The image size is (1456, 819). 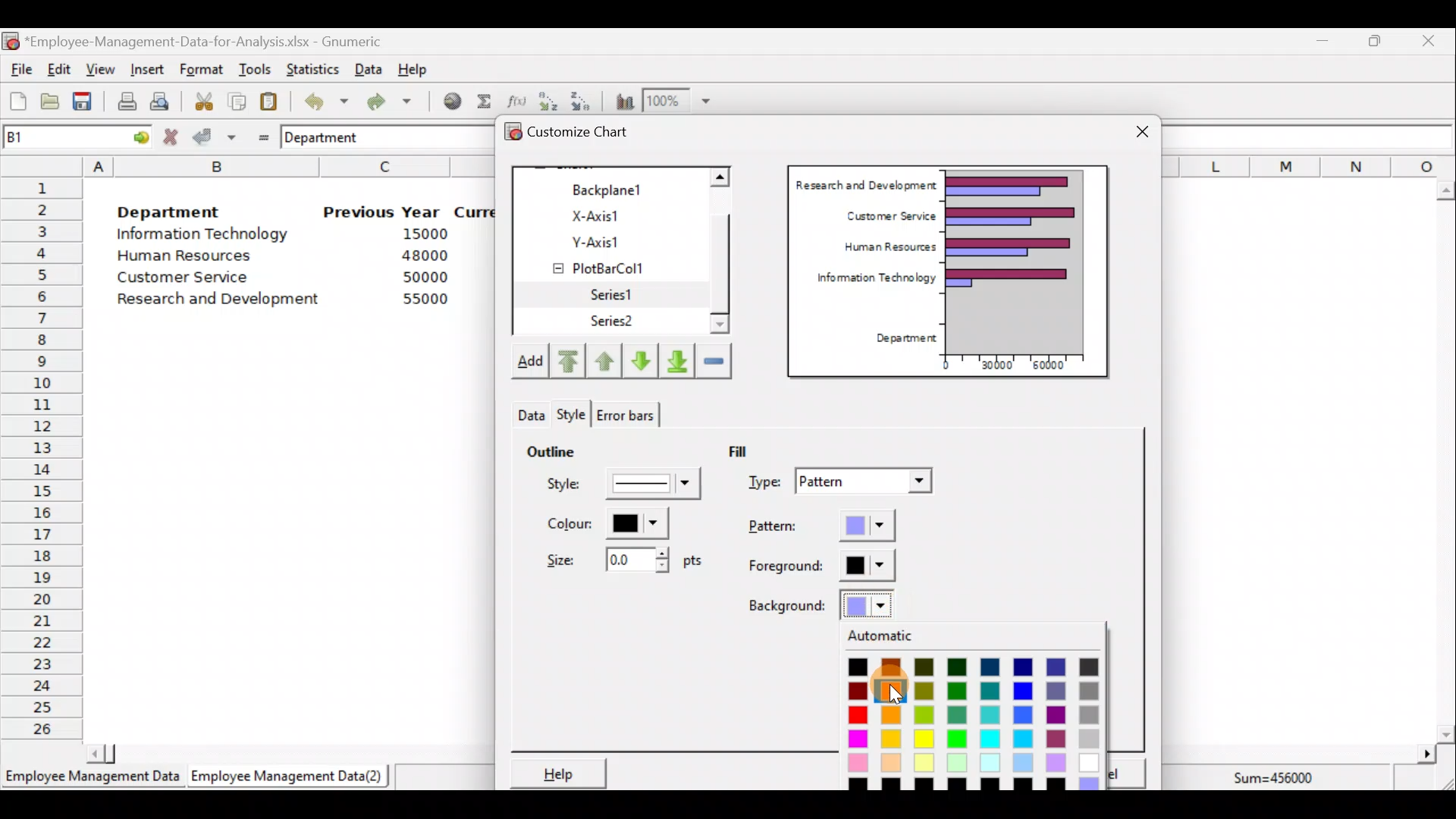 What do you see at coordinates (582, 100) in the screenshot?
I see `Sort in descending order` at bounding box center [582, 100].